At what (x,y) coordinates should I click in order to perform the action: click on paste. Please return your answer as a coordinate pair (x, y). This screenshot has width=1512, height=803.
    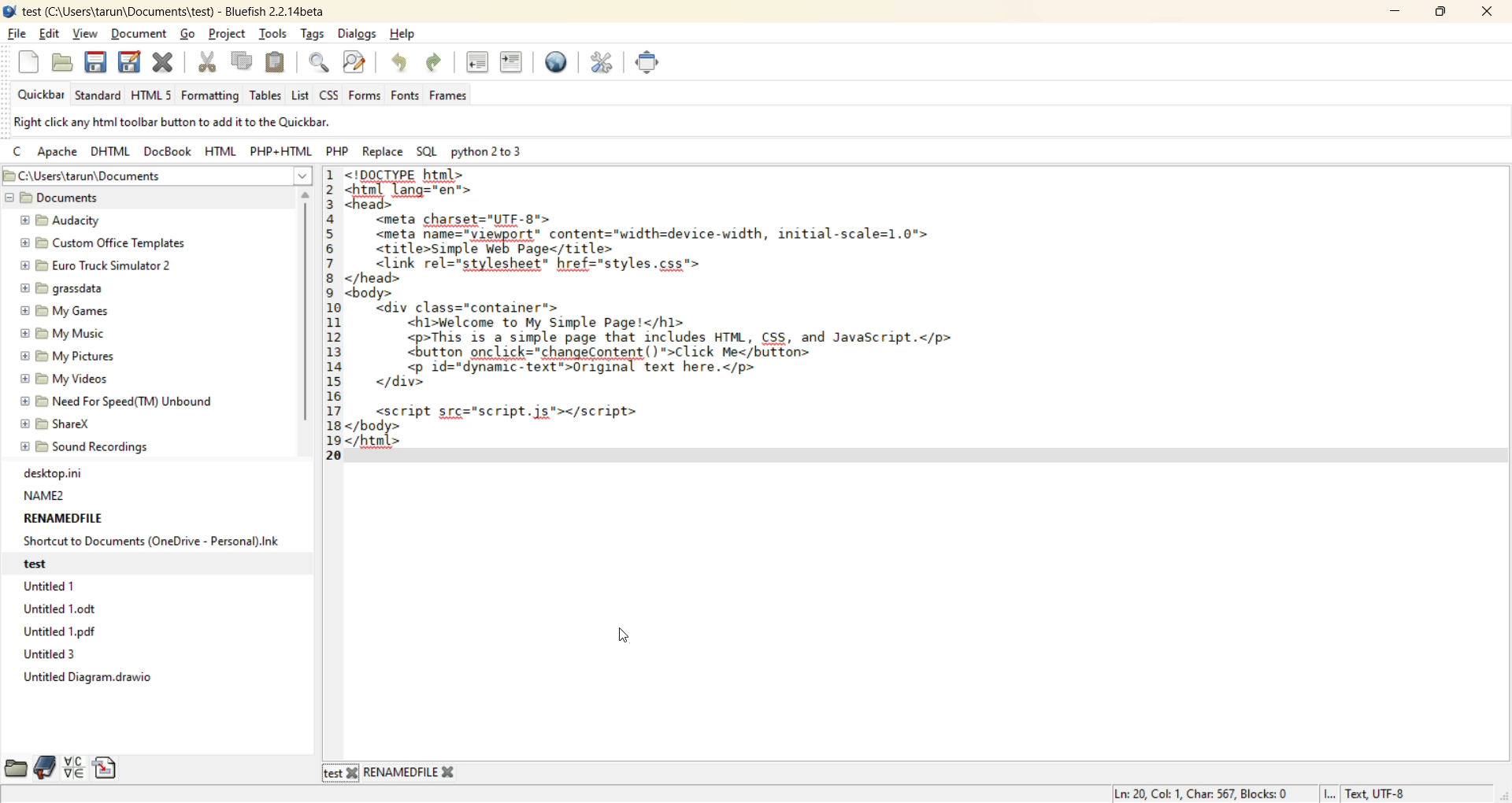
    Looking at the image, I should click on (276, 61).